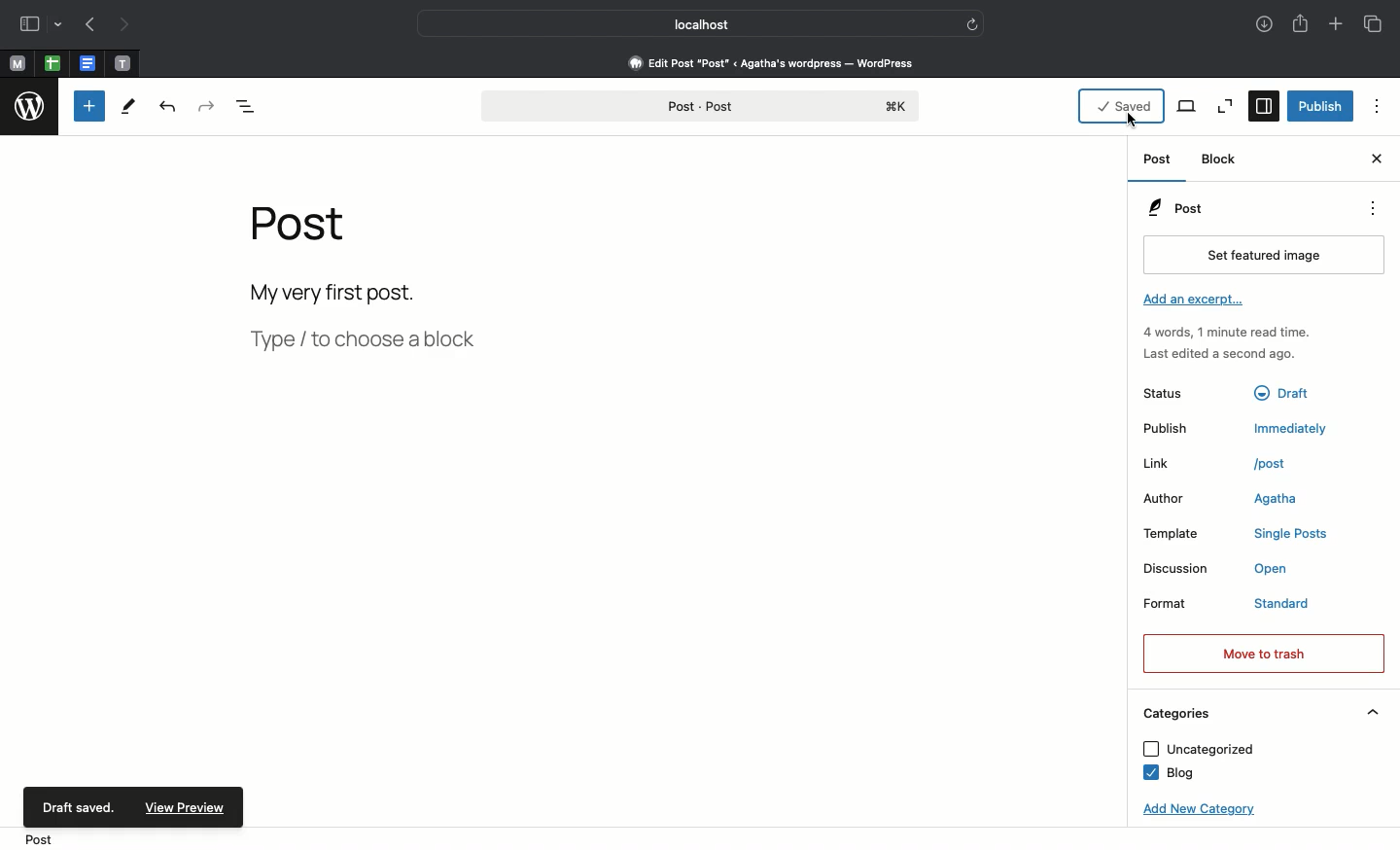 This screenshot has height=850, width=1400. What do you see at coordinates (1295, 536) in the screenshot?
I see `Single posts` at bounding box center [1295, 536].